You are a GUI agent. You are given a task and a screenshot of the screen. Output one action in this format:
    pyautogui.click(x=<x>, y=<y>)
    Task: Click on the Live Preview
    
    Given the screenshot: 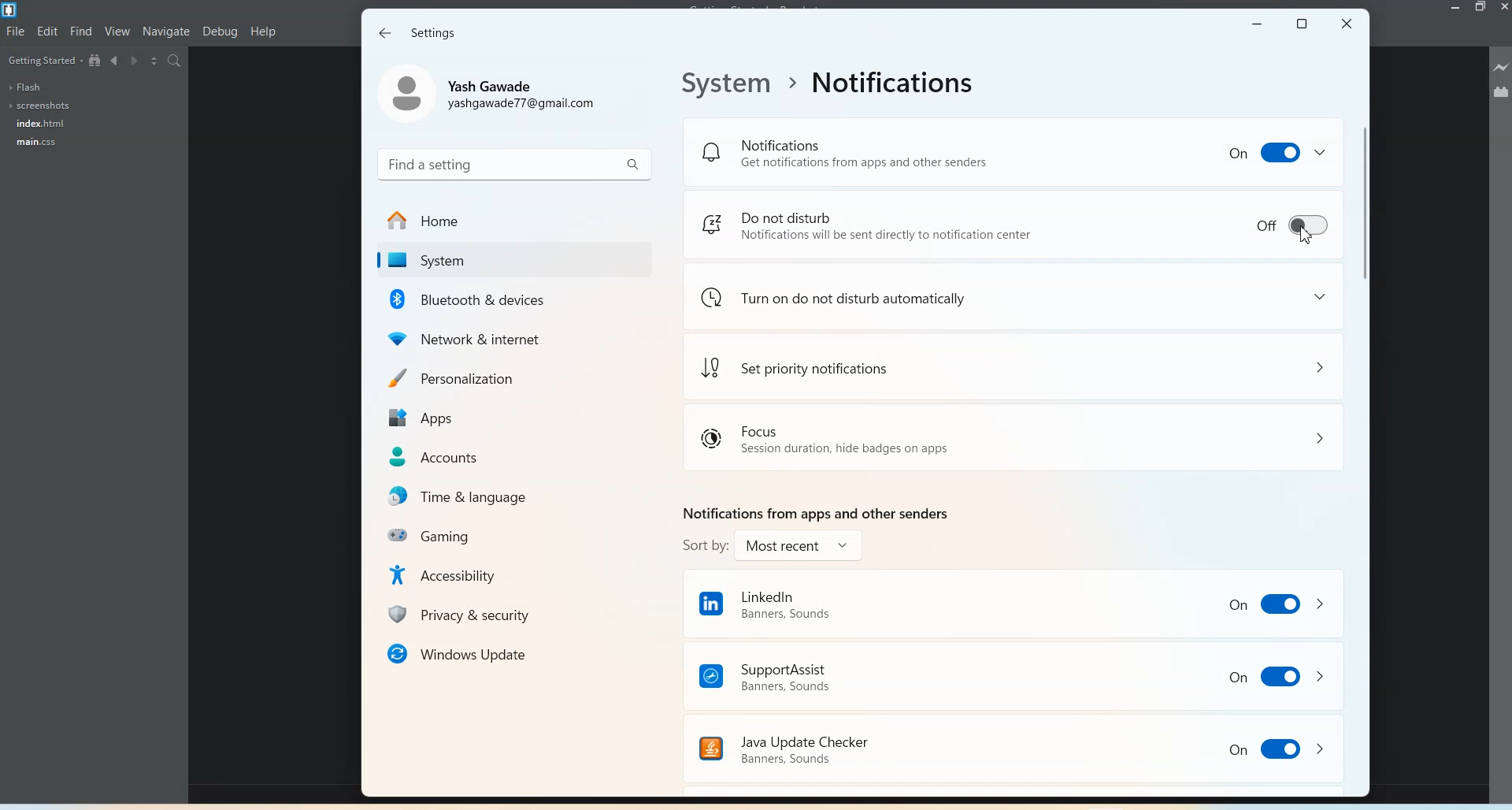 What is the action you would take?
    pyautogui.click(x=1501, y=67)
    